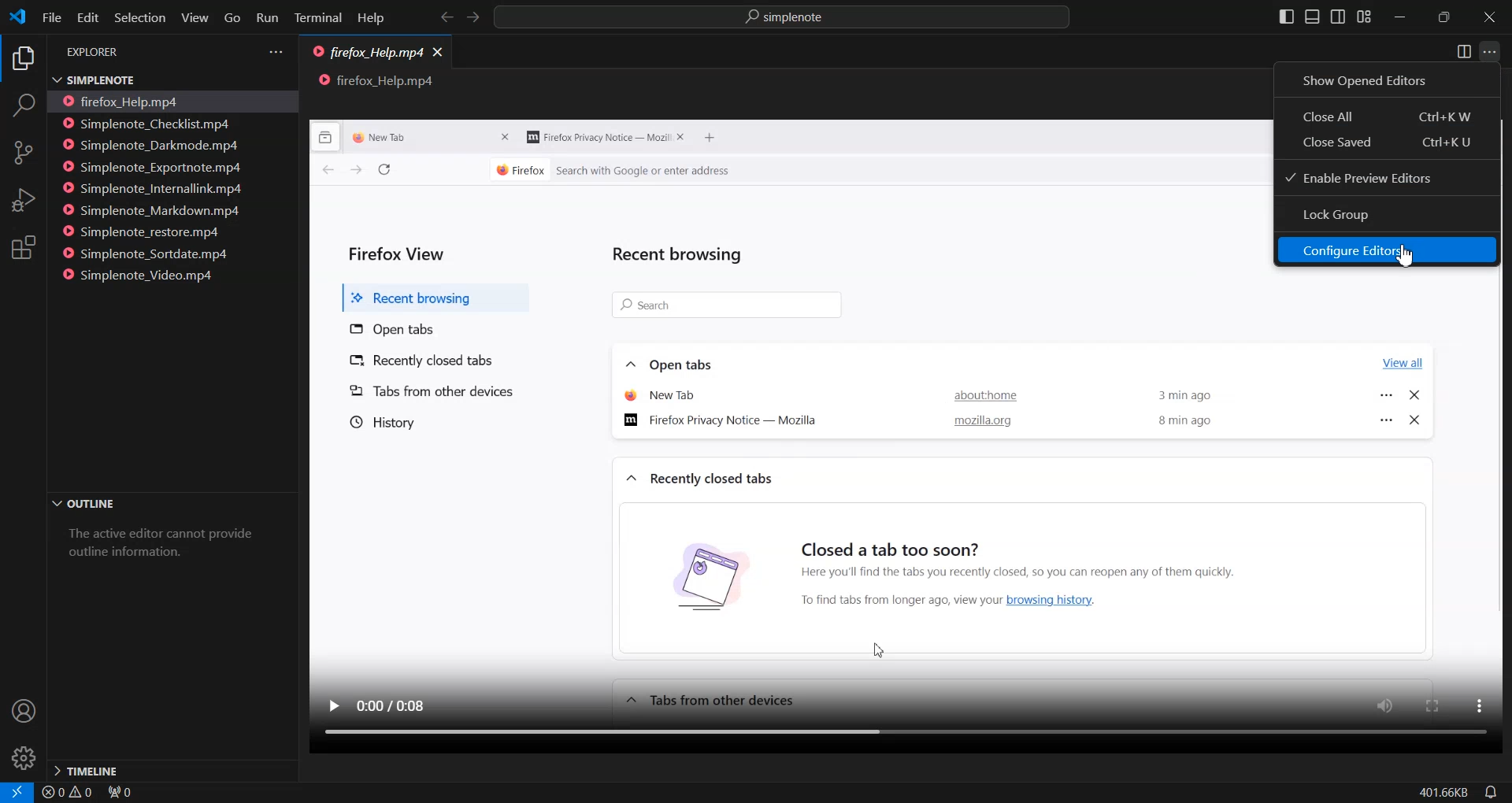  Describe the element at coordinates (709, 700) in the screenshot. I see `tabs from othe device` at that location.